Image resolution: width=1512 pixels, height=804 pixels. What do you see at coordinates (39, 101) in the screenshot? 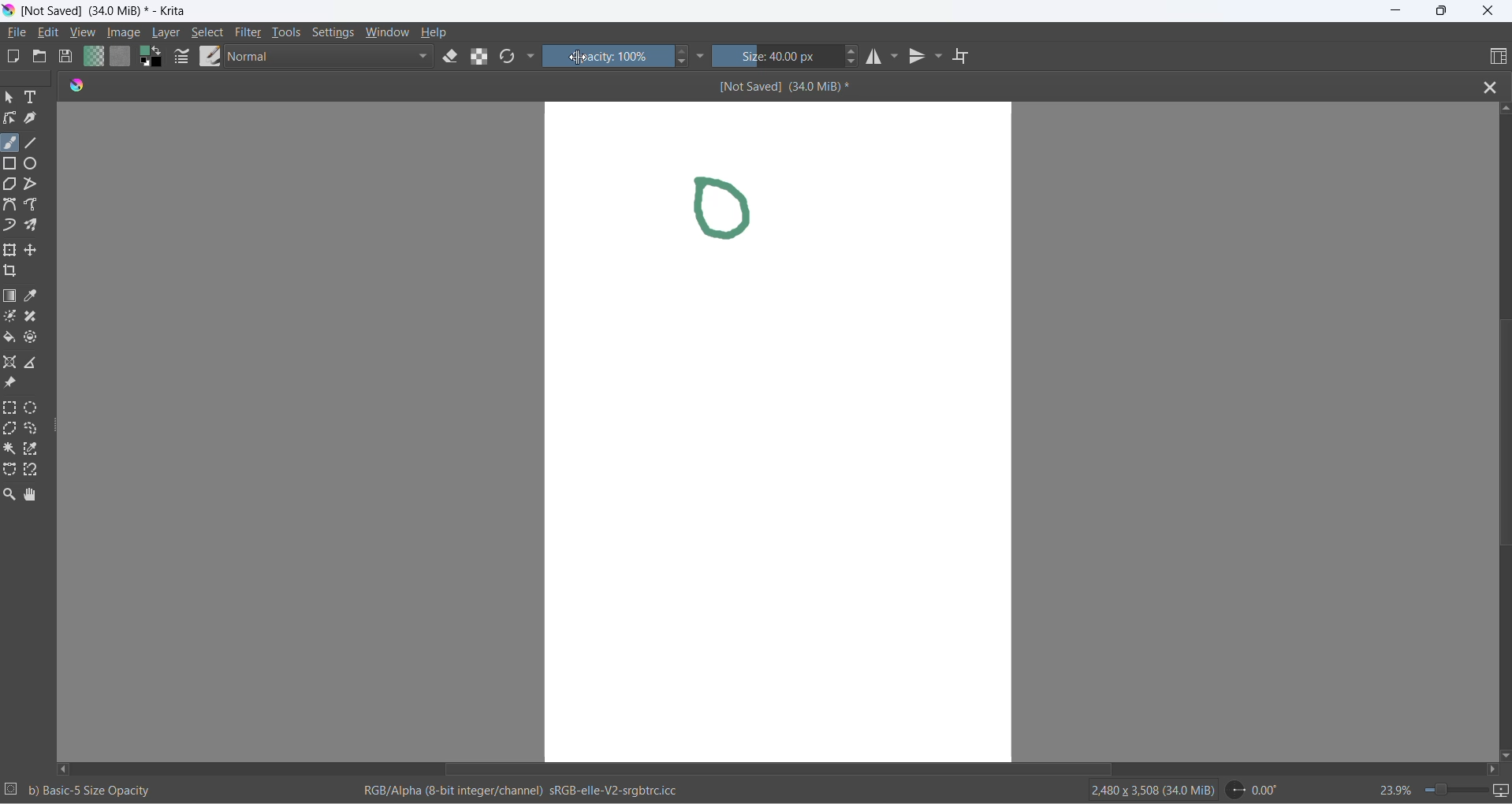
I see `text tool` at bounding box center [39, 101].